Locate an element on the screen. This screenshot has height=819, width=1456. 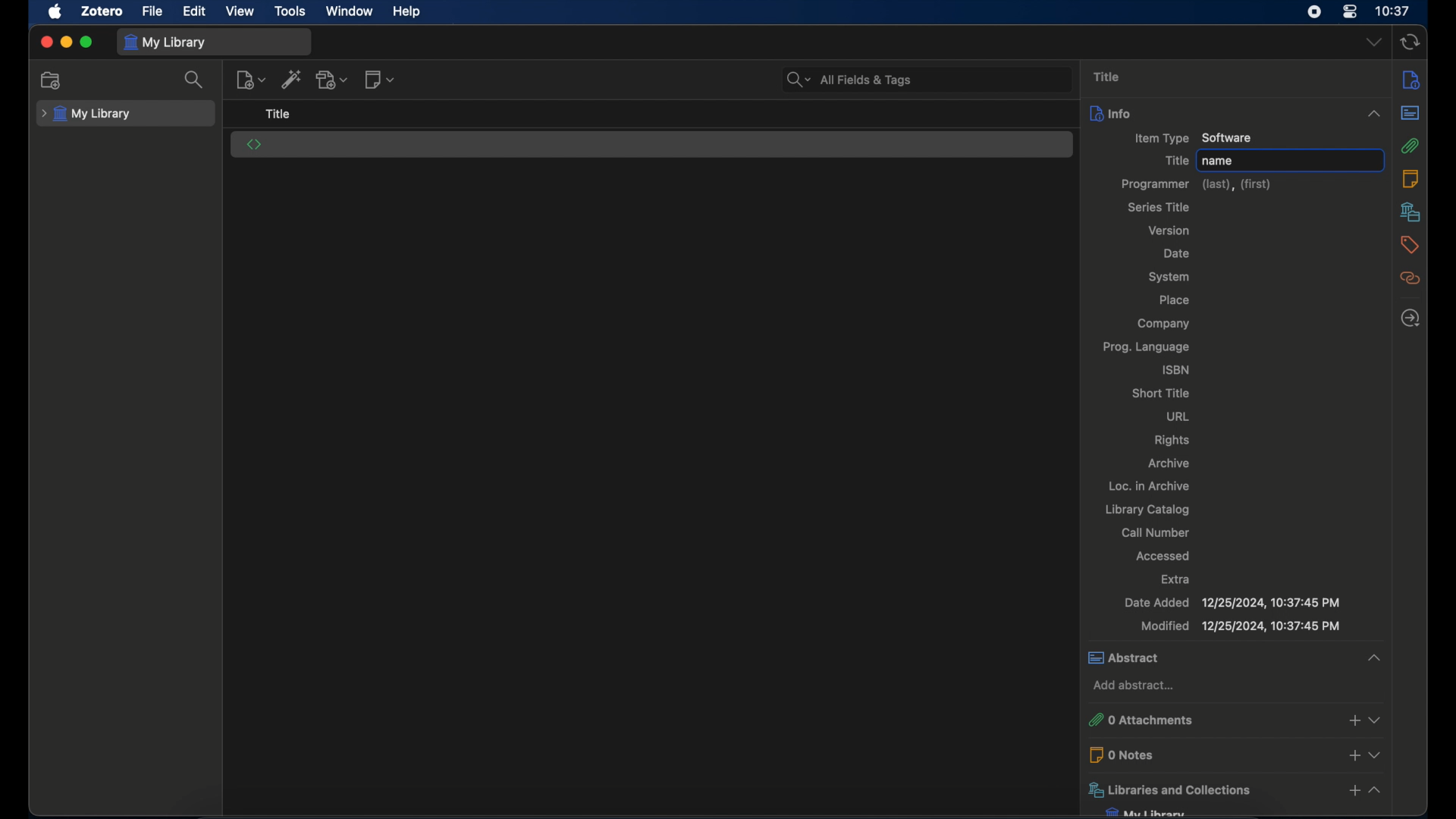
notes is located at coordinates (1410, 177).